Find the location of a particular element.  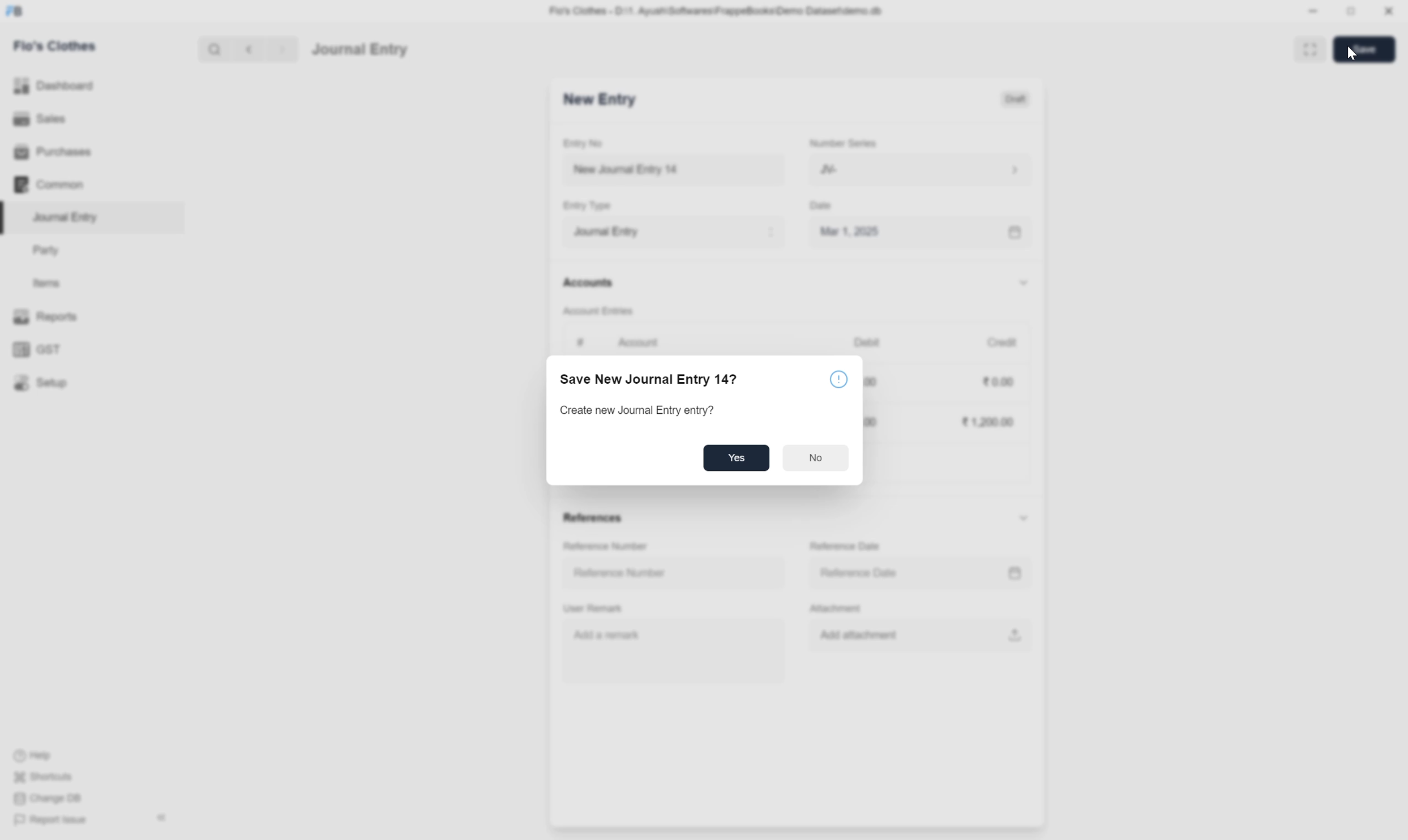

FB is located at coordinates (15, 11).